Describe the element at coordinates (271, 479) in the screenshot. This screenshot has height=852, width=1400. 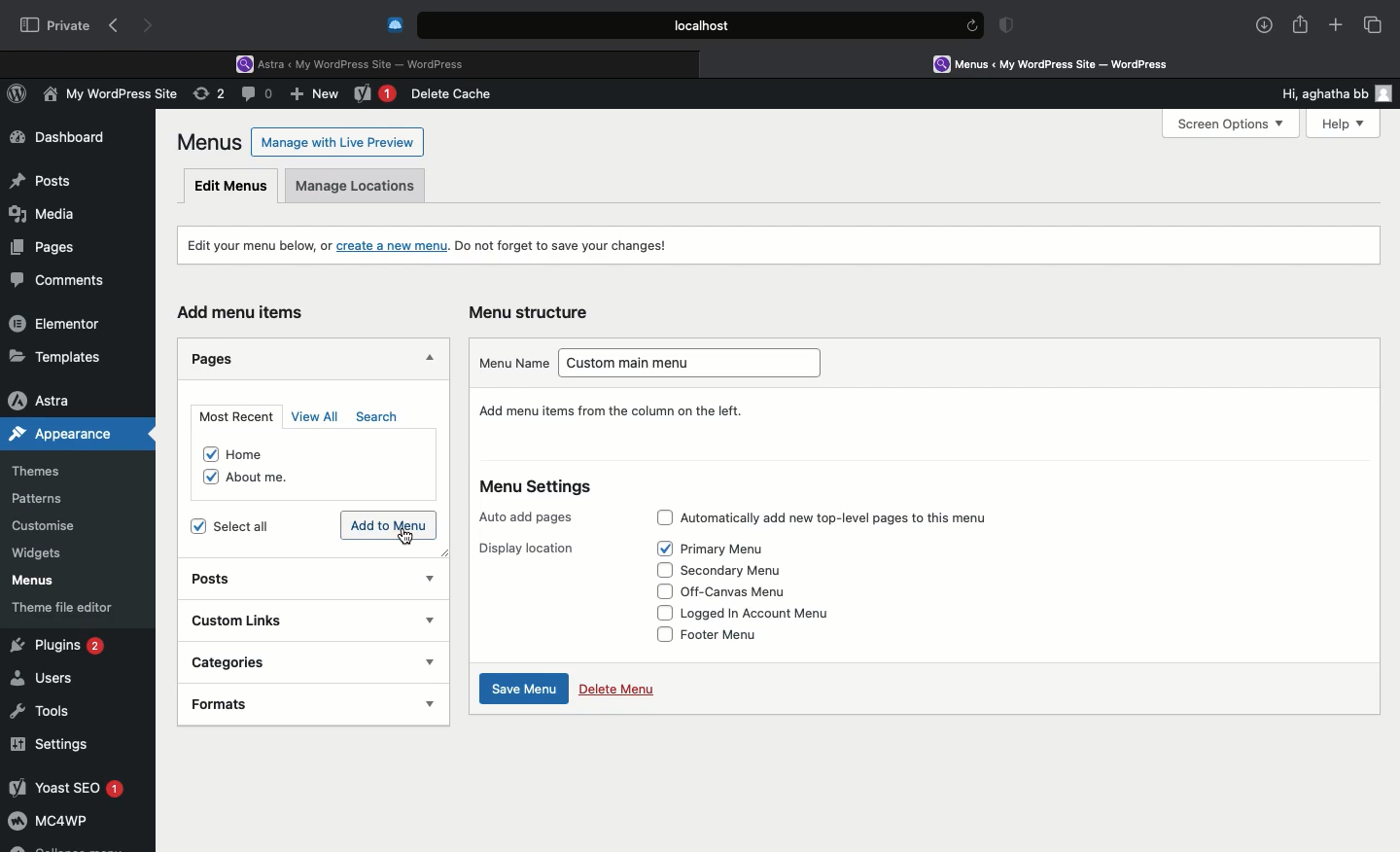
I see `About me` at that location.